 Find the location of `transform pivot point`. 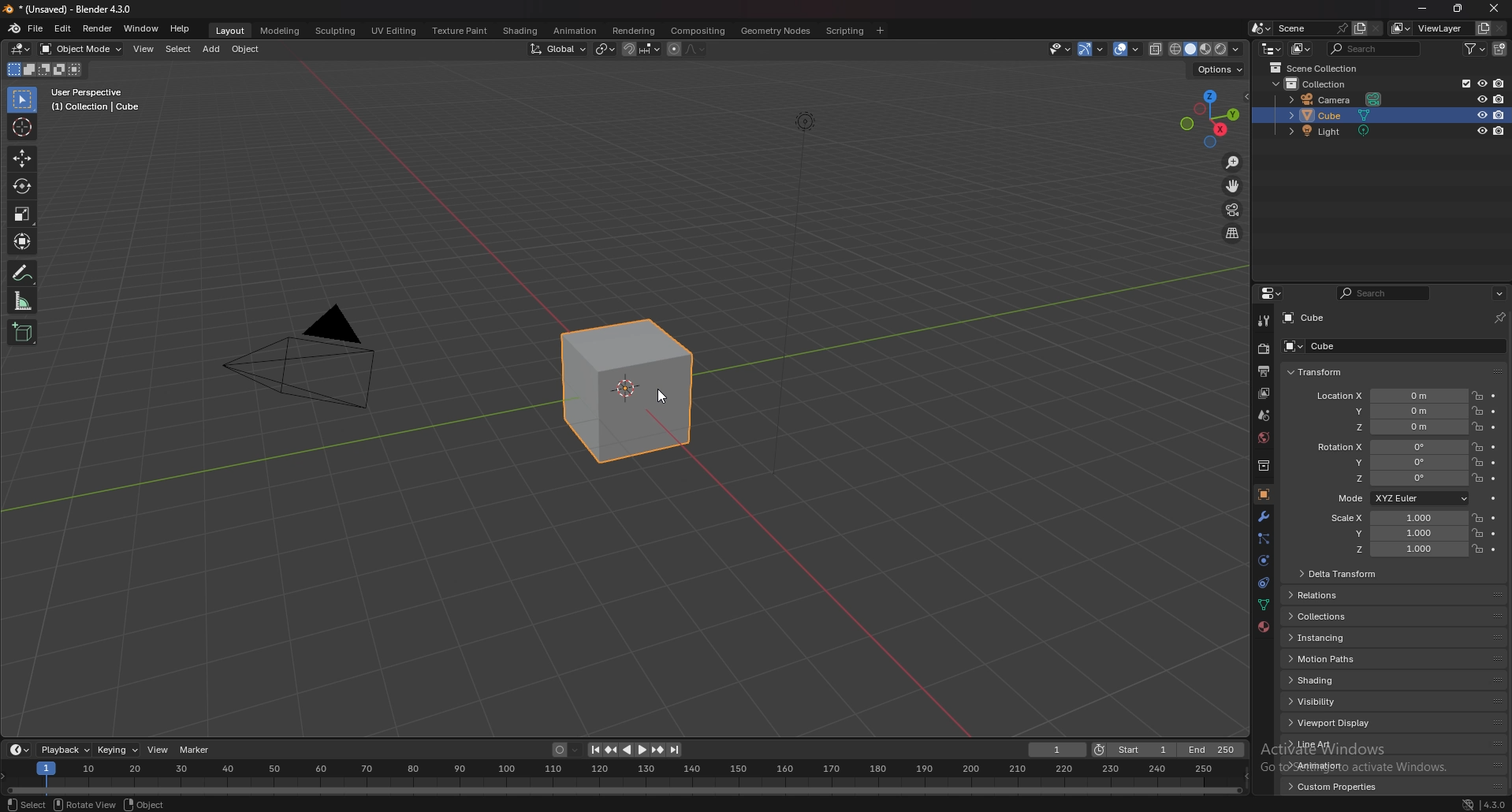

transform pivot point is located at coordinates (605, 50).